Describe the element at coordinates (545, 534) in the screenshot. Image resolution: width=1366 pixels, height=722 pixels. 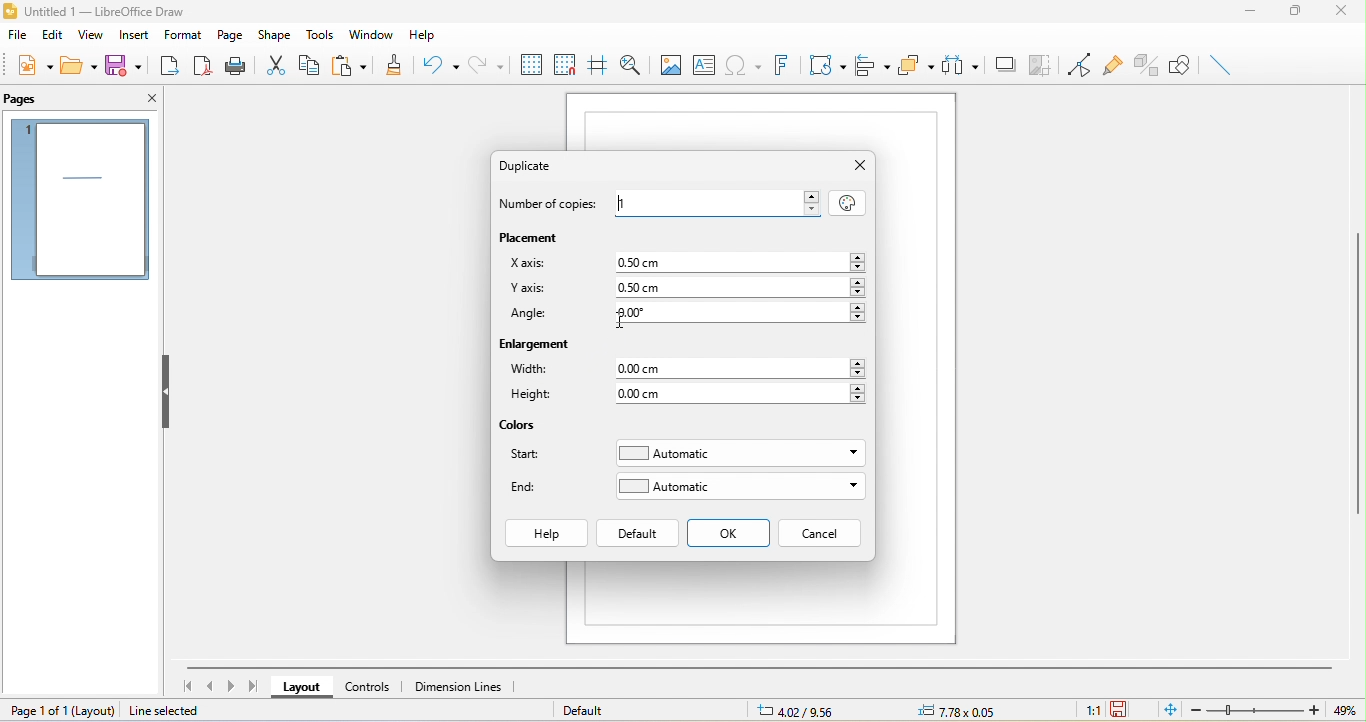
I see `help` at that location.